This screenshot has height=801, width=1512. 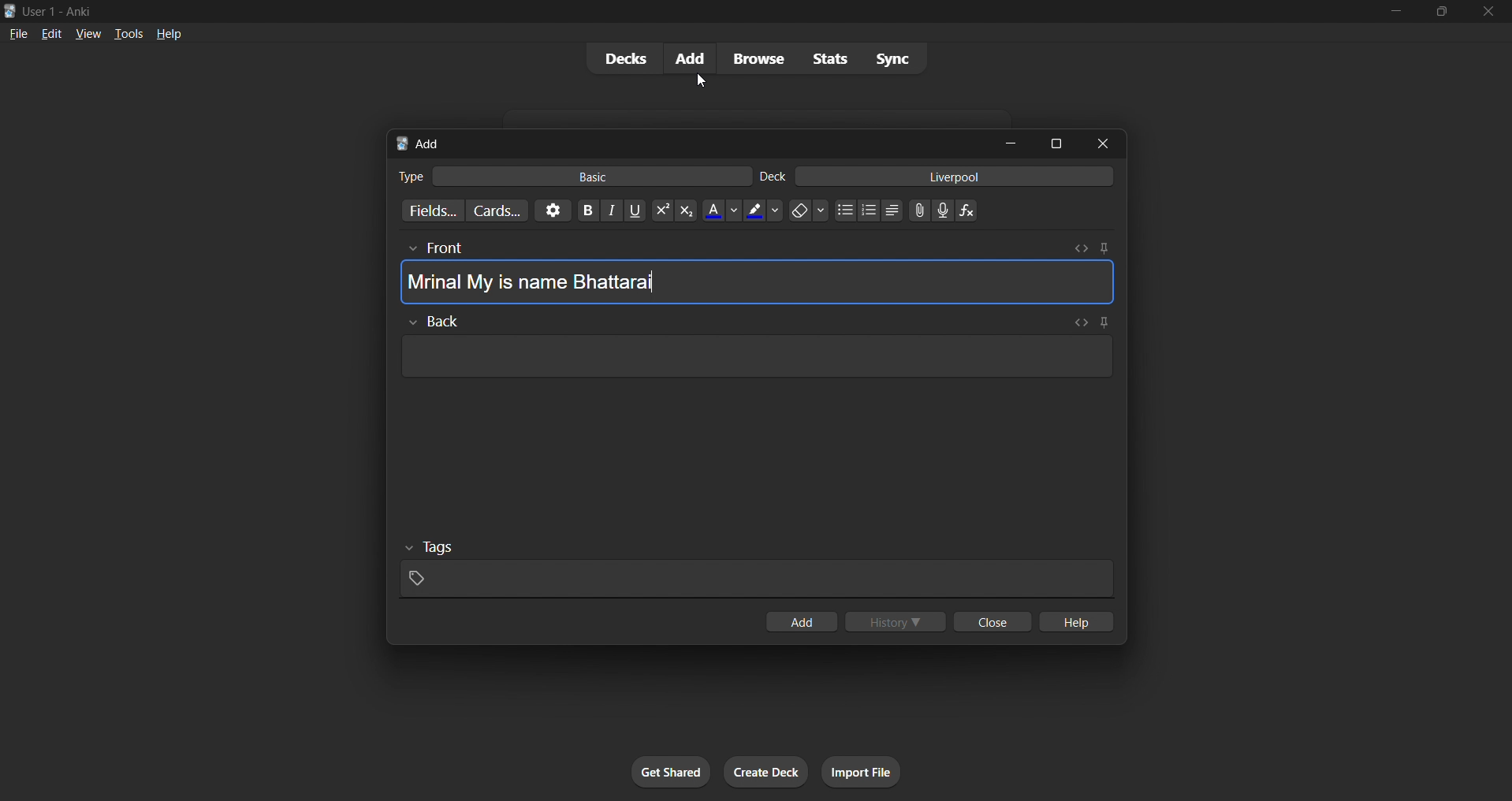 I want to click on create deck, so click(x=765, y=771).